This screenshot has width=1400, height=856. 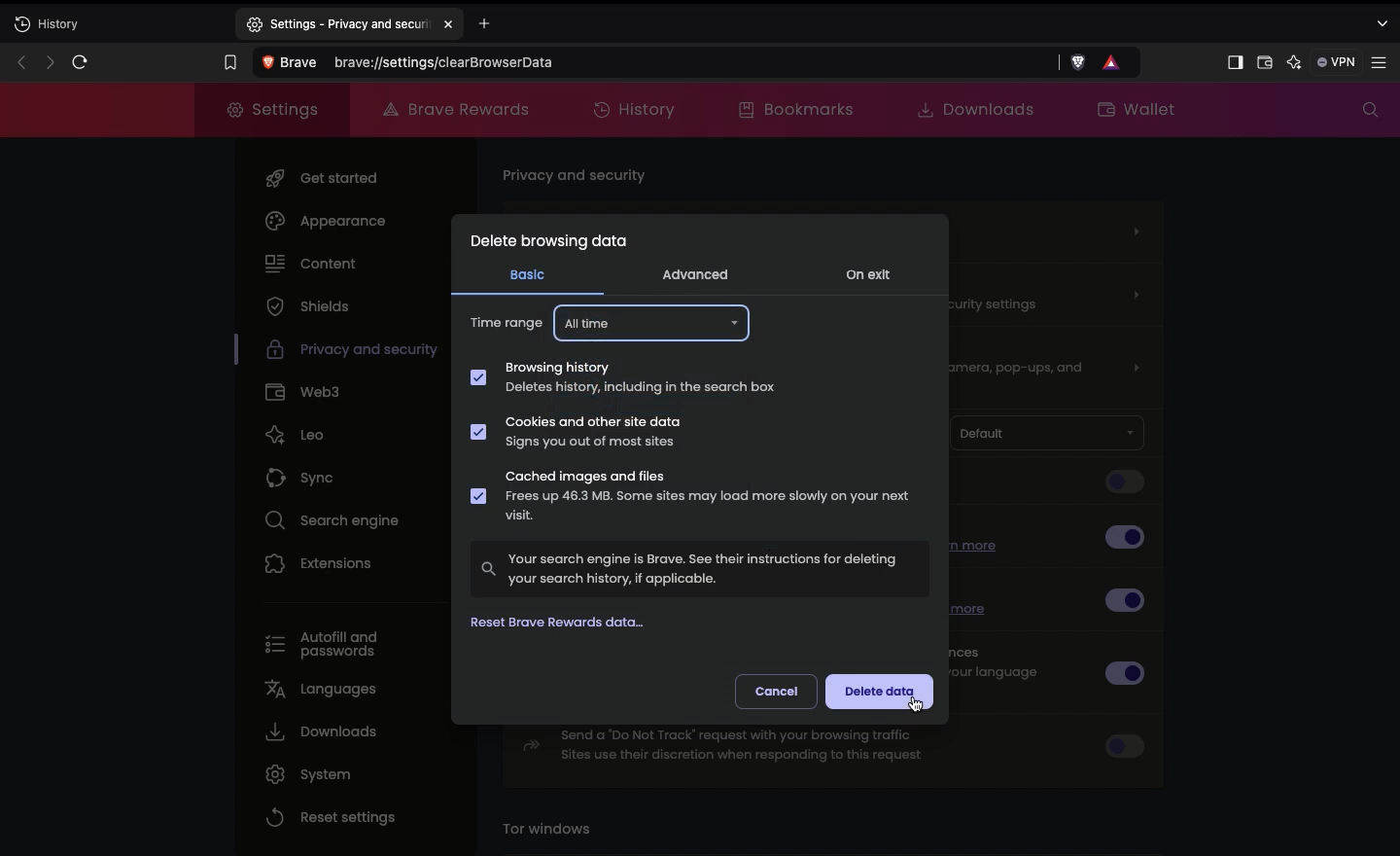 What do you see at coordinates (306, 393) in the screenshot?
I see `Web3` at bounding box center [306, 393].